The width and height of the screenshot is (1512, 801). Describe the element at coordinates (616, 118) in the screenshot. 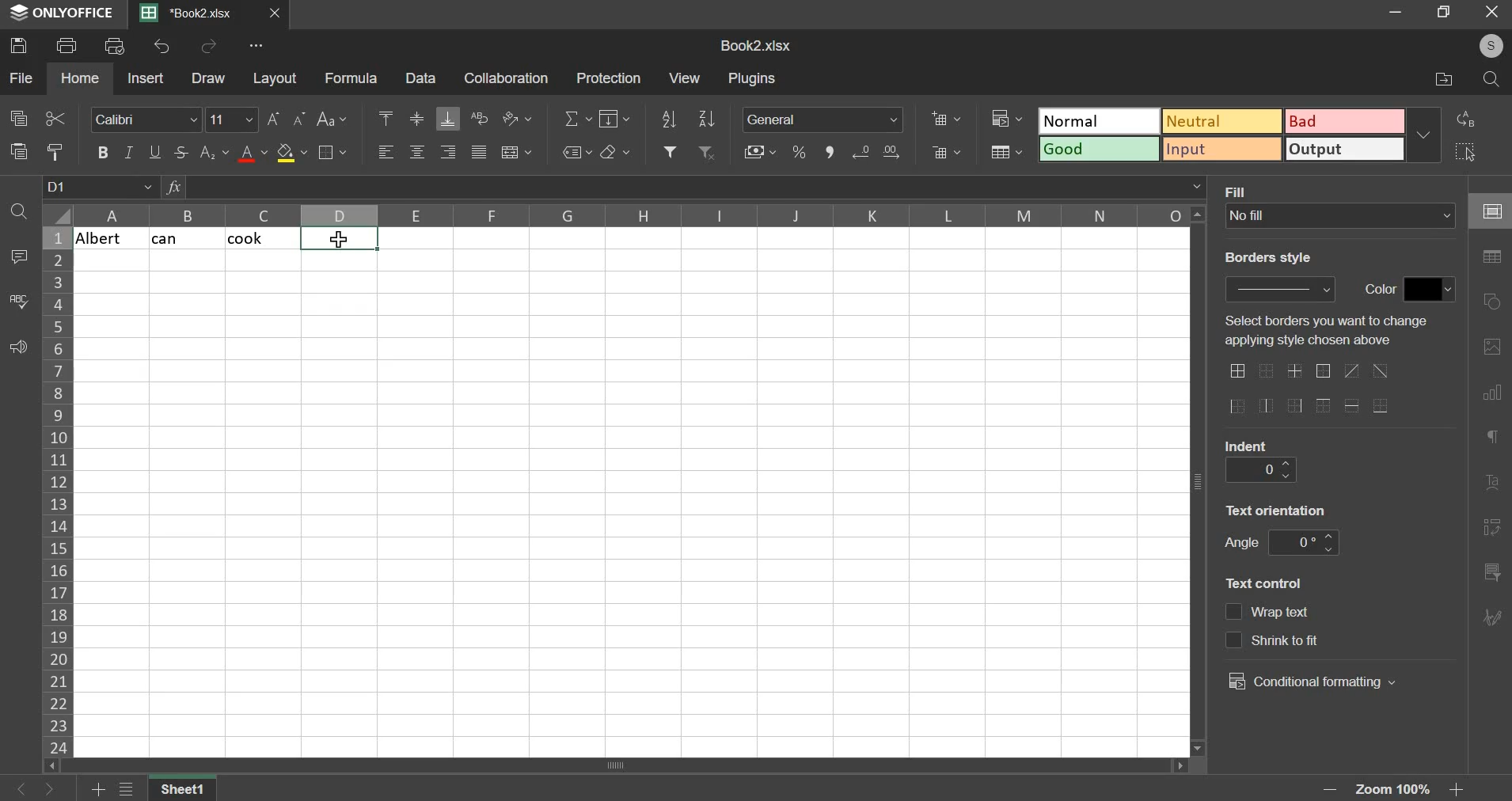

I see `fill` at that location.